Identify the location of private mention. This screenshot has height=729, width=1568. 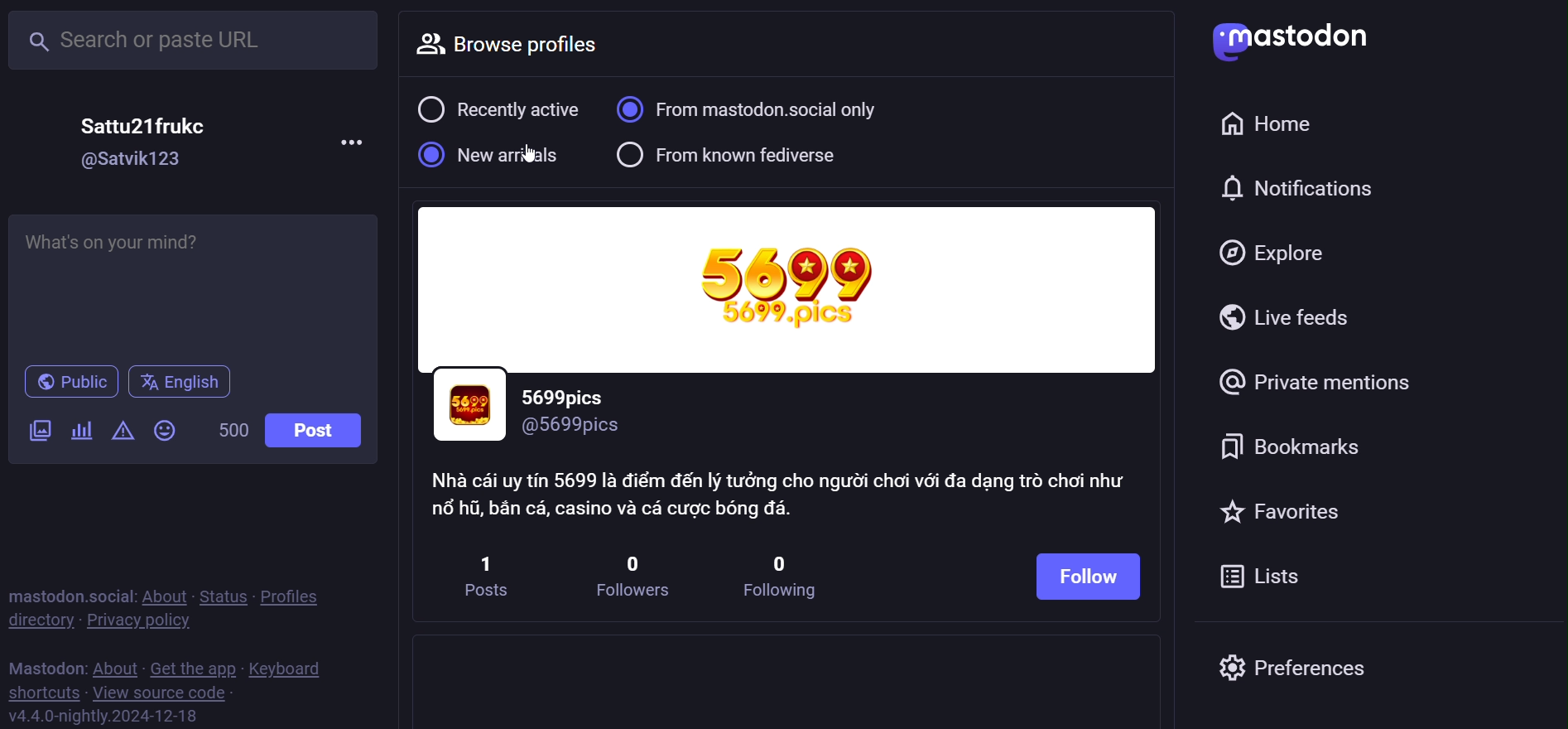
(1321, 384).